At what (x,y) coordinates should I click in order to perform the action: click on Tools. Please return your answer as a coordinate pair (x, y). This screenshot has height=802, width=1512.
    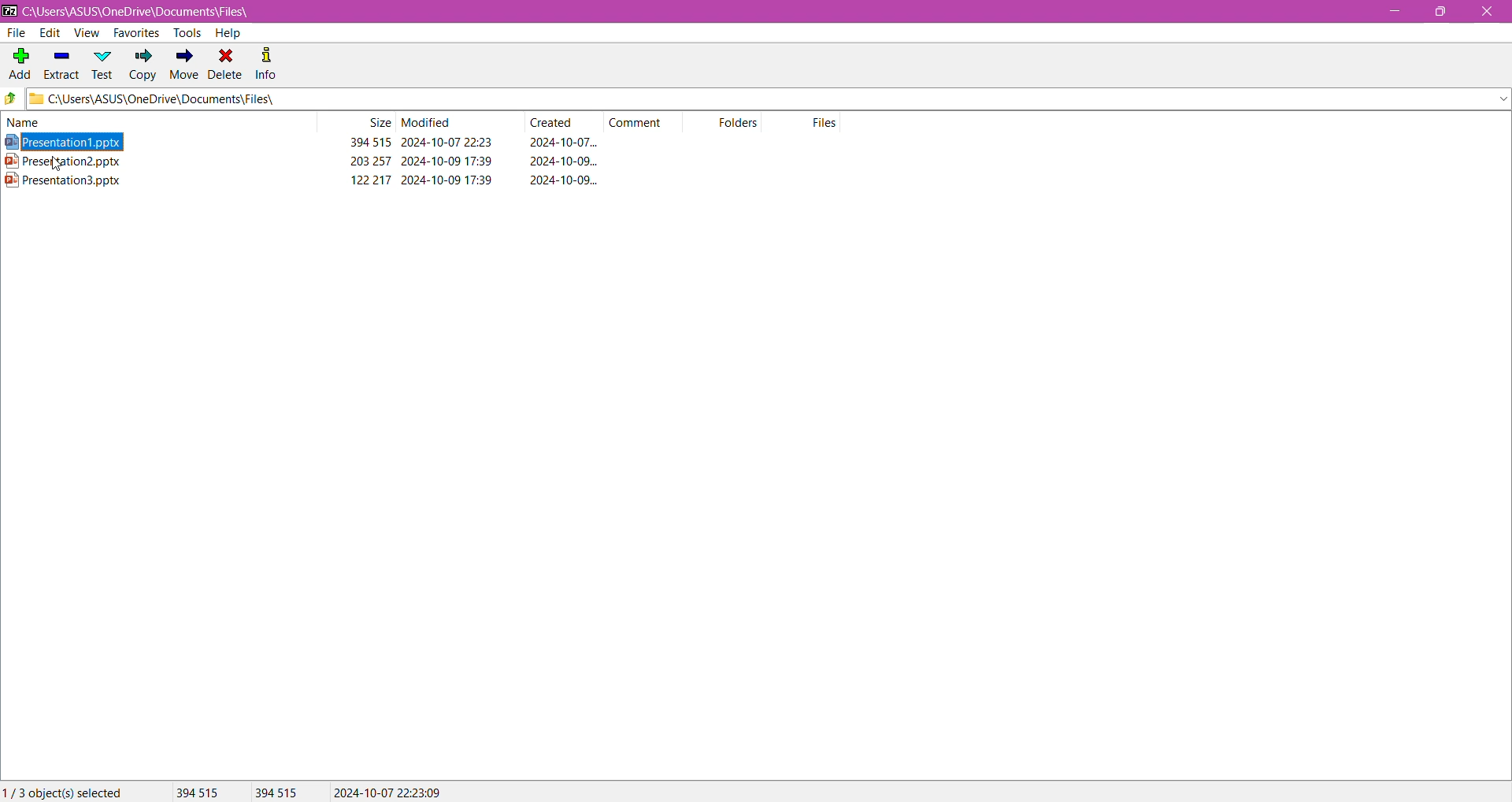
    Looking at the image, I should click on (185, 32).